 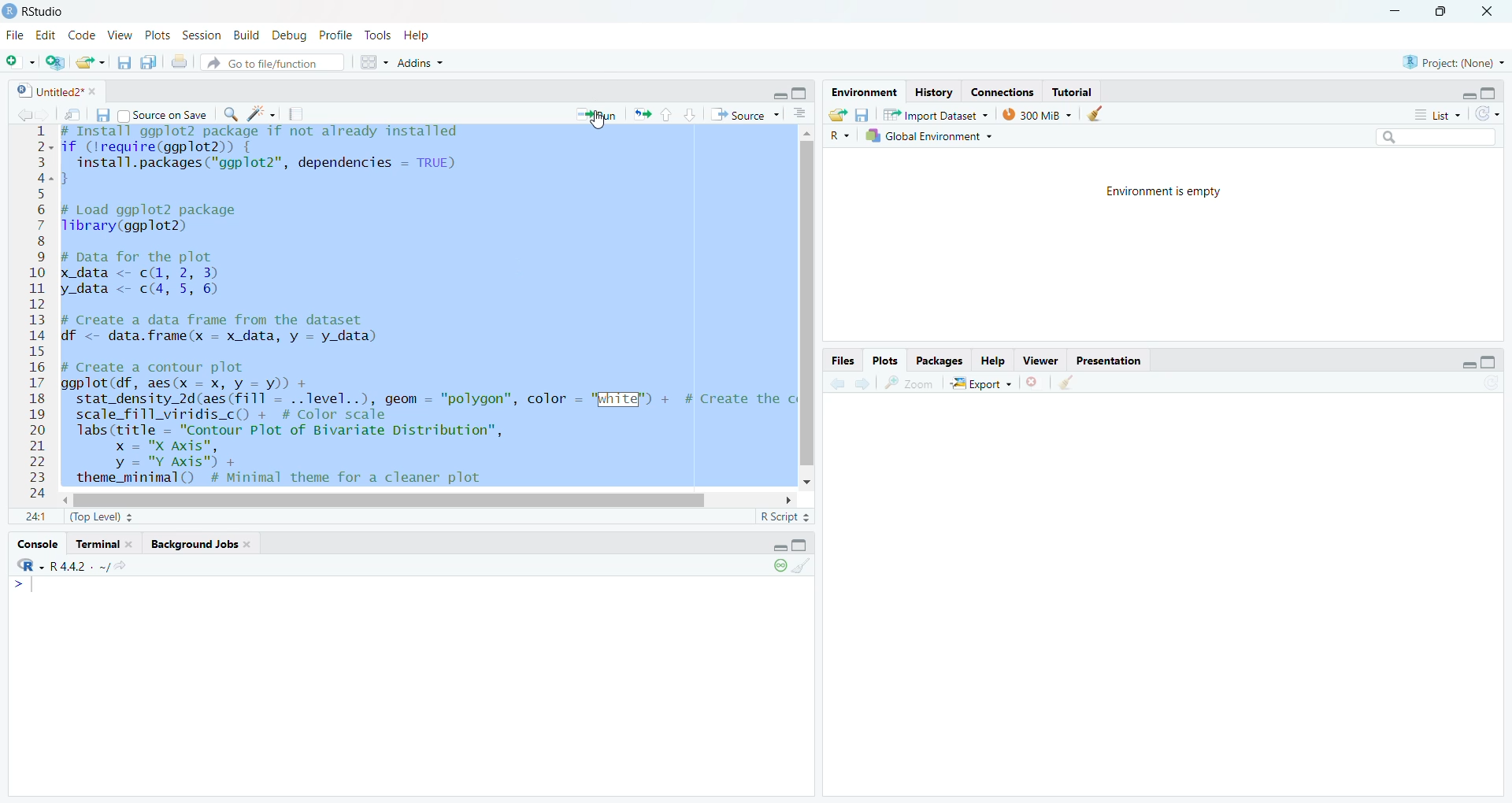 I want to click on  project: (None), so click(x=1453, y=61).